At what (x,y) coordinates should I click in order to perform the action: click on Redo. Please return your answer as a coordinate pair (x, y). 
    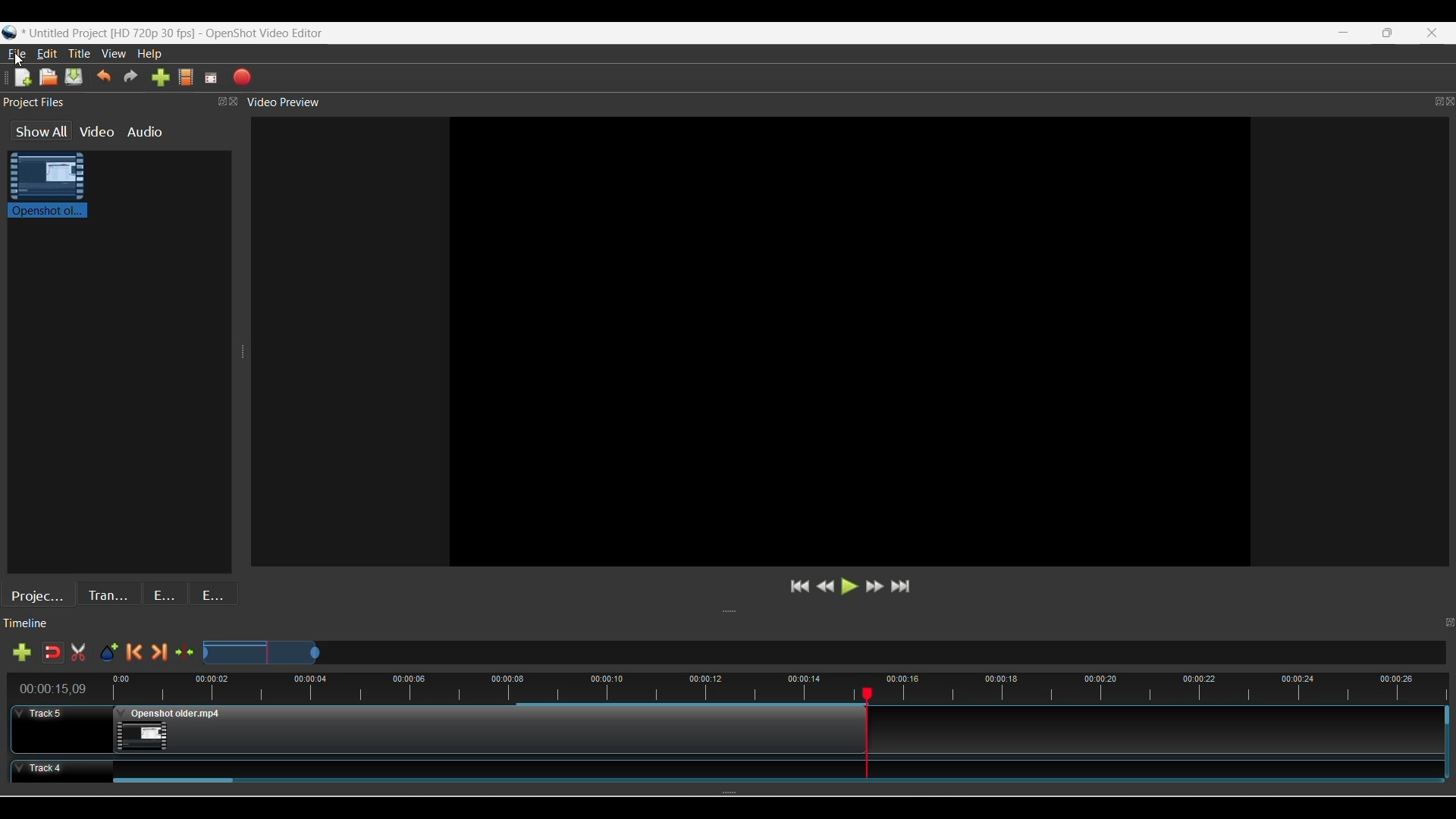
    Looking at the image, I should click on (130, 77).